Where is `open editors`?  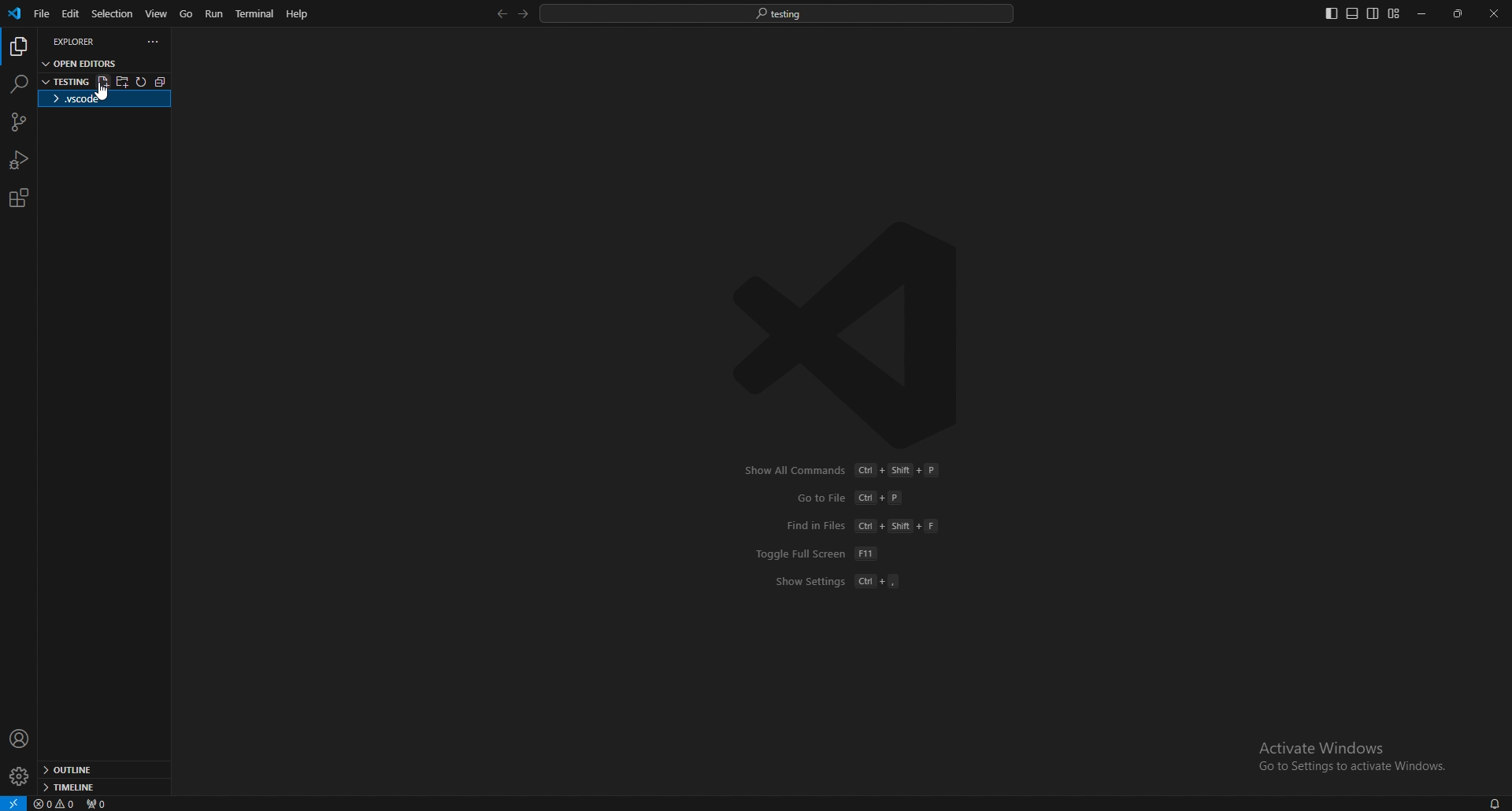 open editors is located at coordinates (82, 62).